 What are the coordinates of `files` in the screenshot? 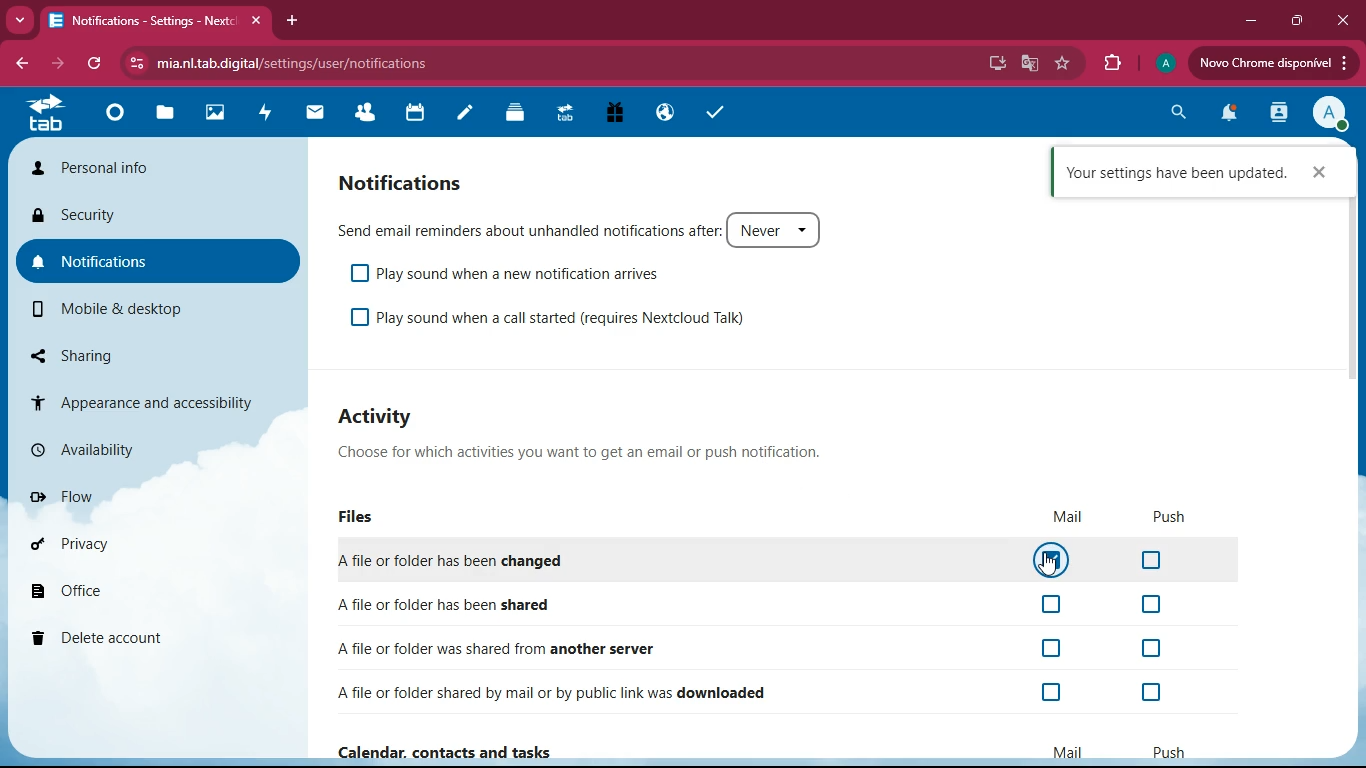 It's located at (362, 519).